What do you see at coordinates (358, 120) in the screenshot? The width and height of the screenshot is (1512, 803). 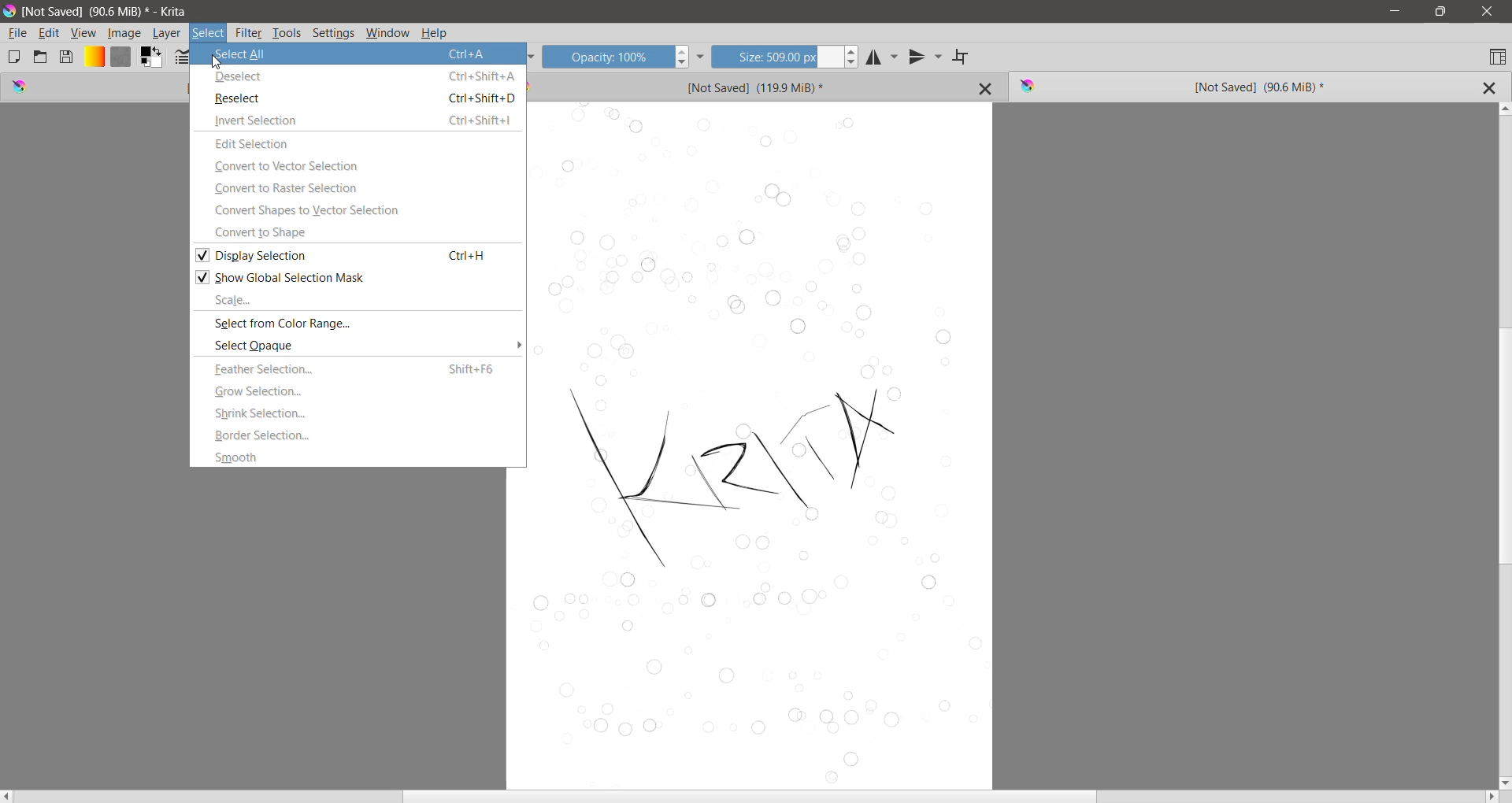 I see `Invert Selection` at bounding box center [358, 120].